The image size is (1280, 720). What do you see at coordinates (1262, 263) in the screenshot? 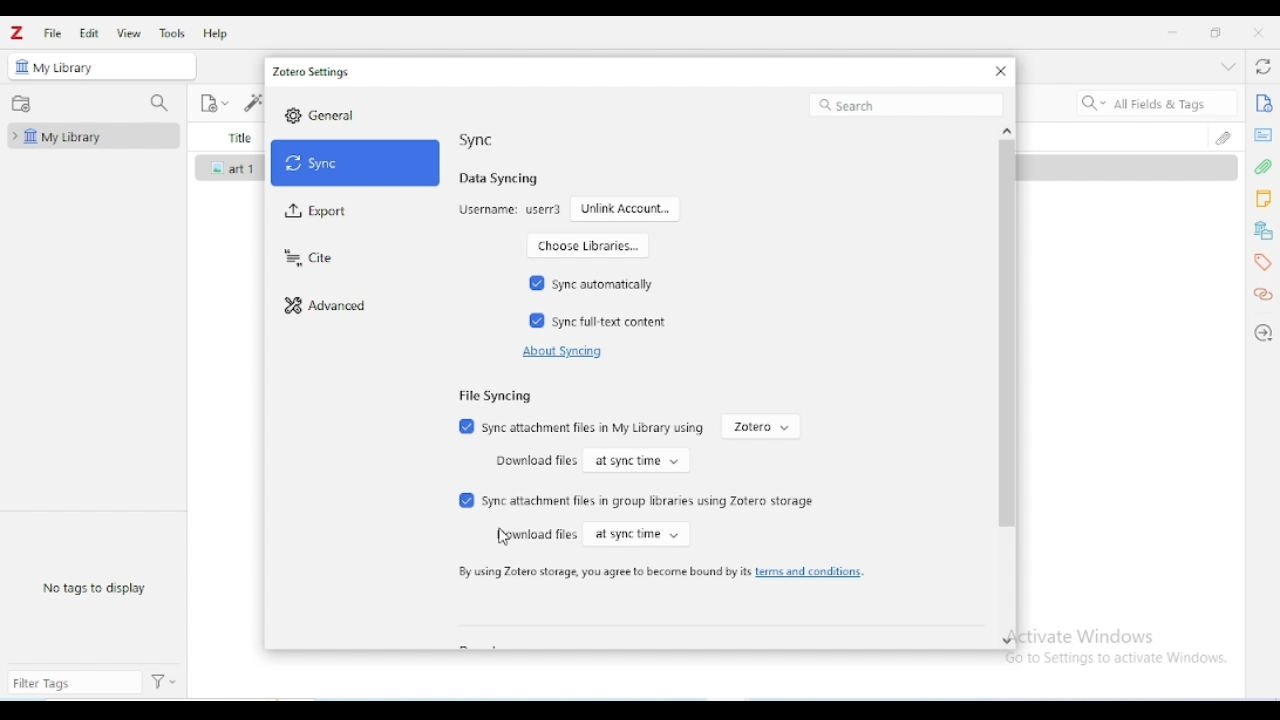
I see `tags` at bounding box center [1262, 263].